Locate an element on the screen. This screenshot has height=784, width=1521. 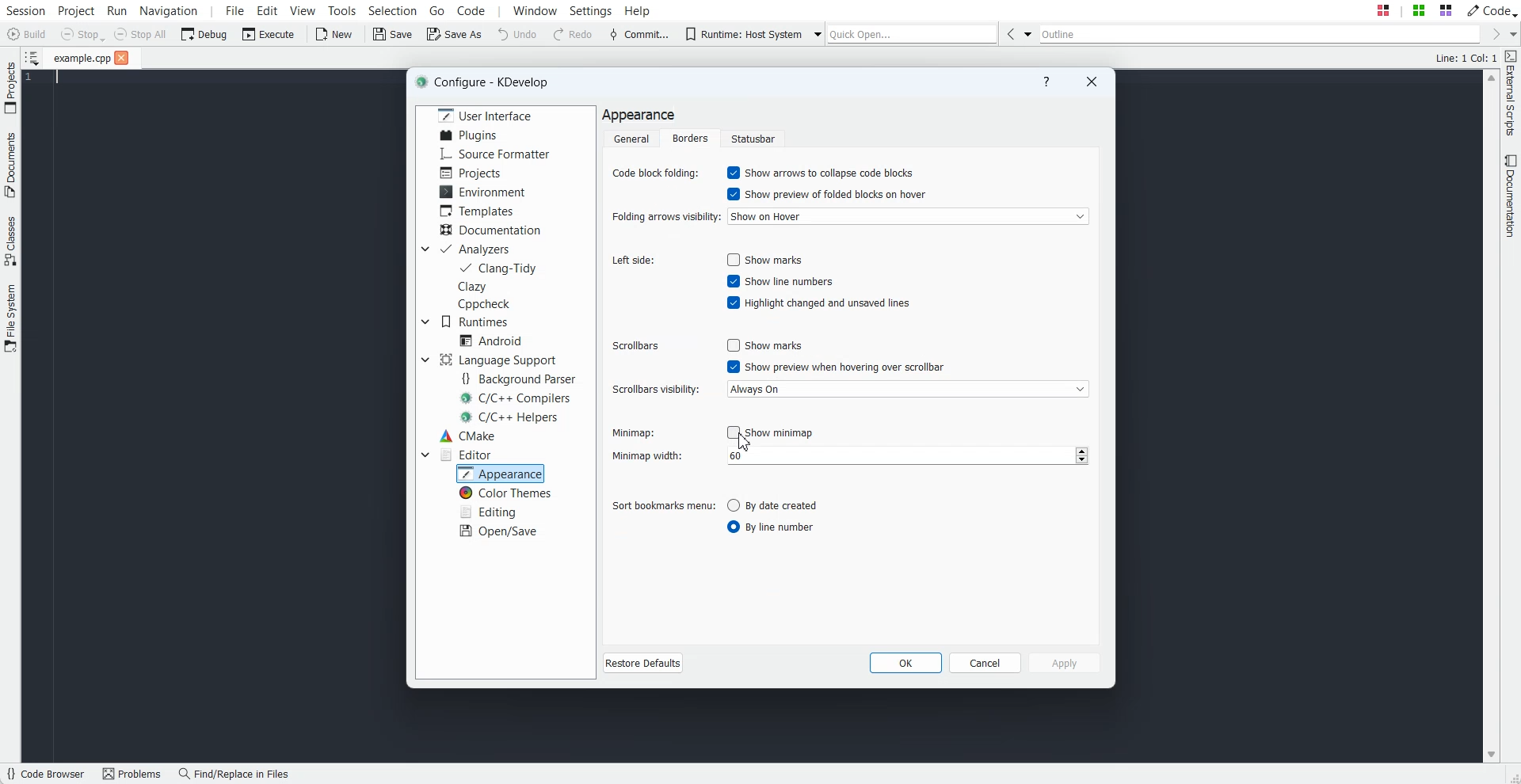
Appearance selected is located at coordinates (500, 474).